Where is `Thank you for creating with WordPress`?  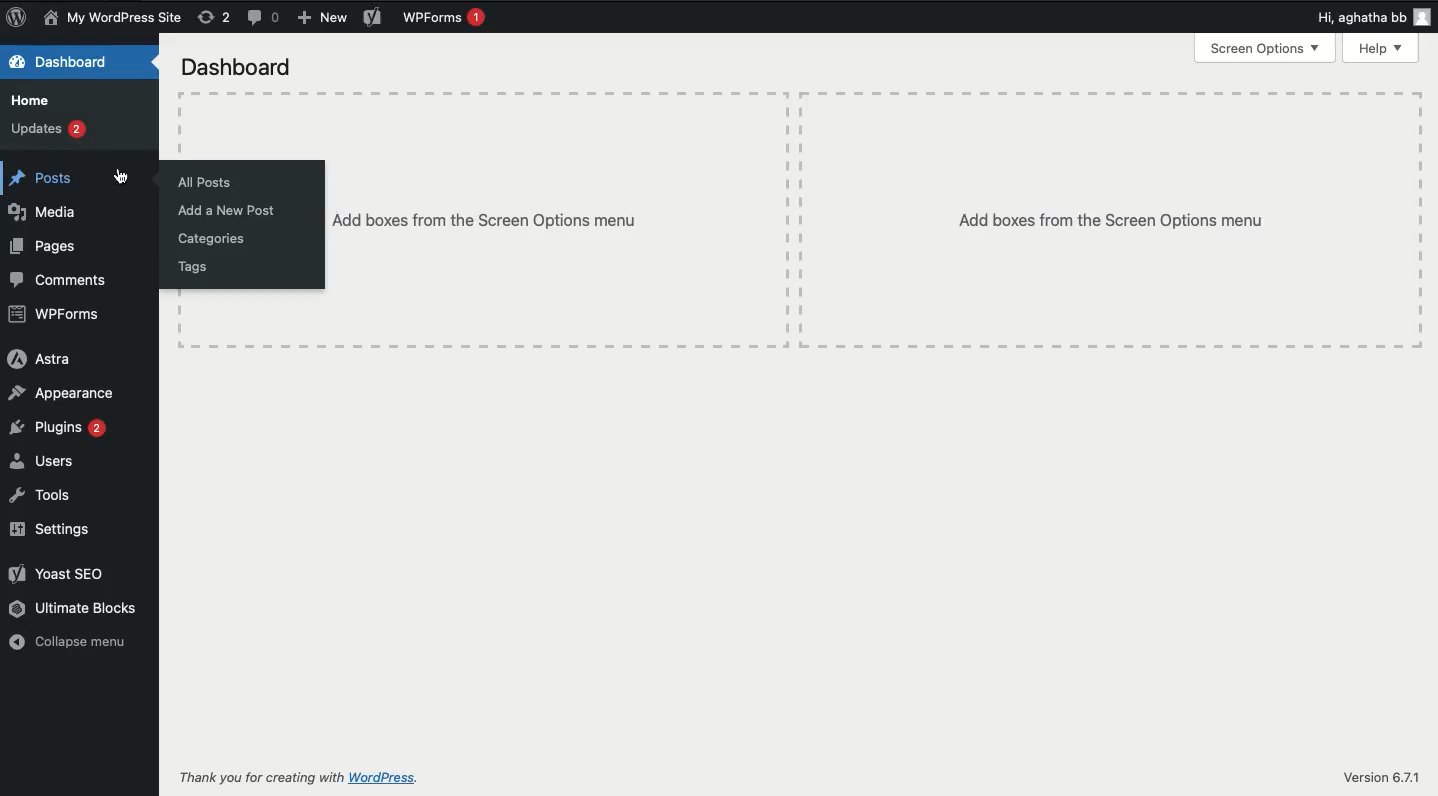
Thank you for creating with WordPress is located at coordinates (259, 776).